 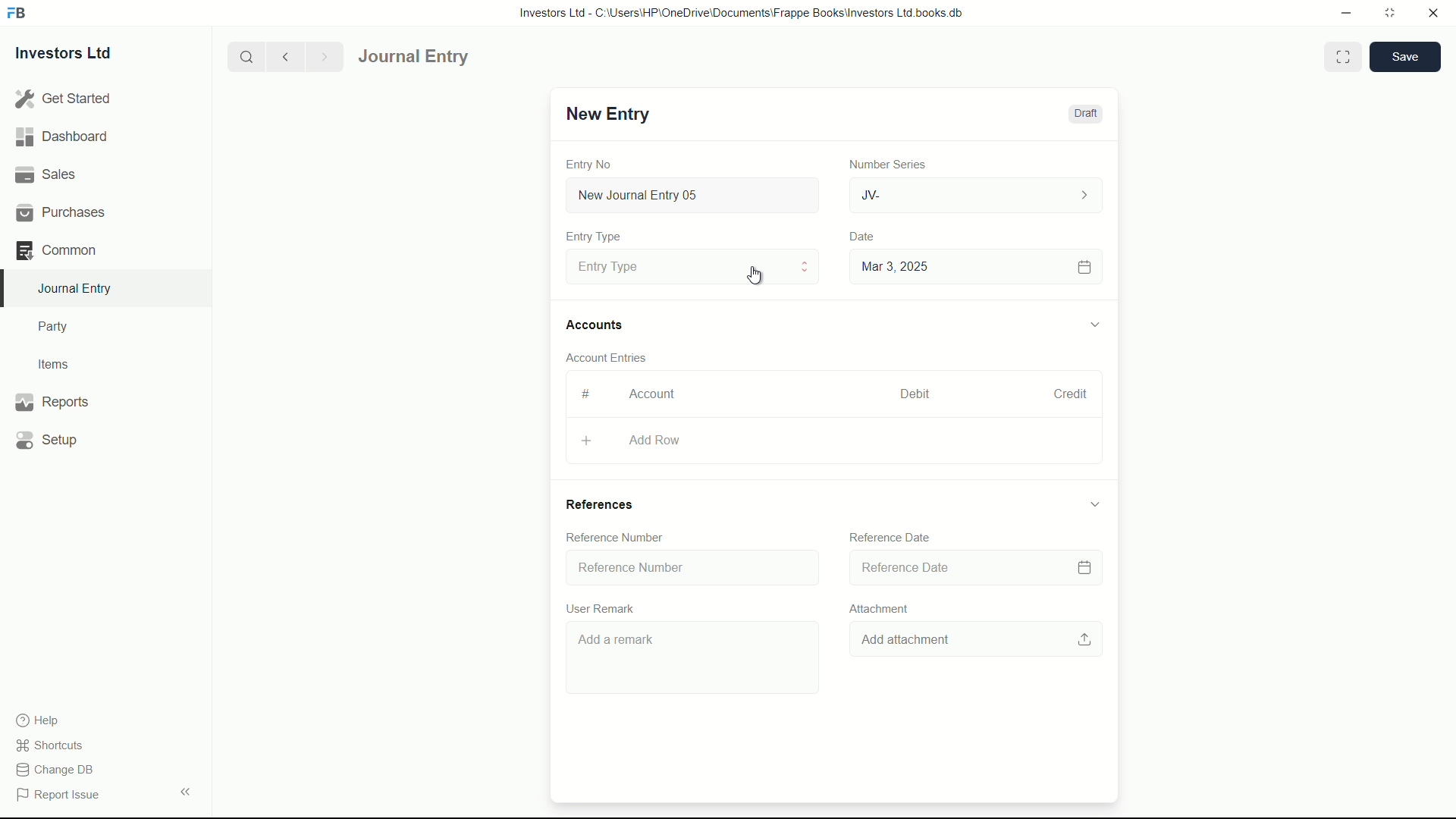 What do you see at coordinates (52, 400) in the screenshot?
I see `Reports .` at bounding box center [52, 400].